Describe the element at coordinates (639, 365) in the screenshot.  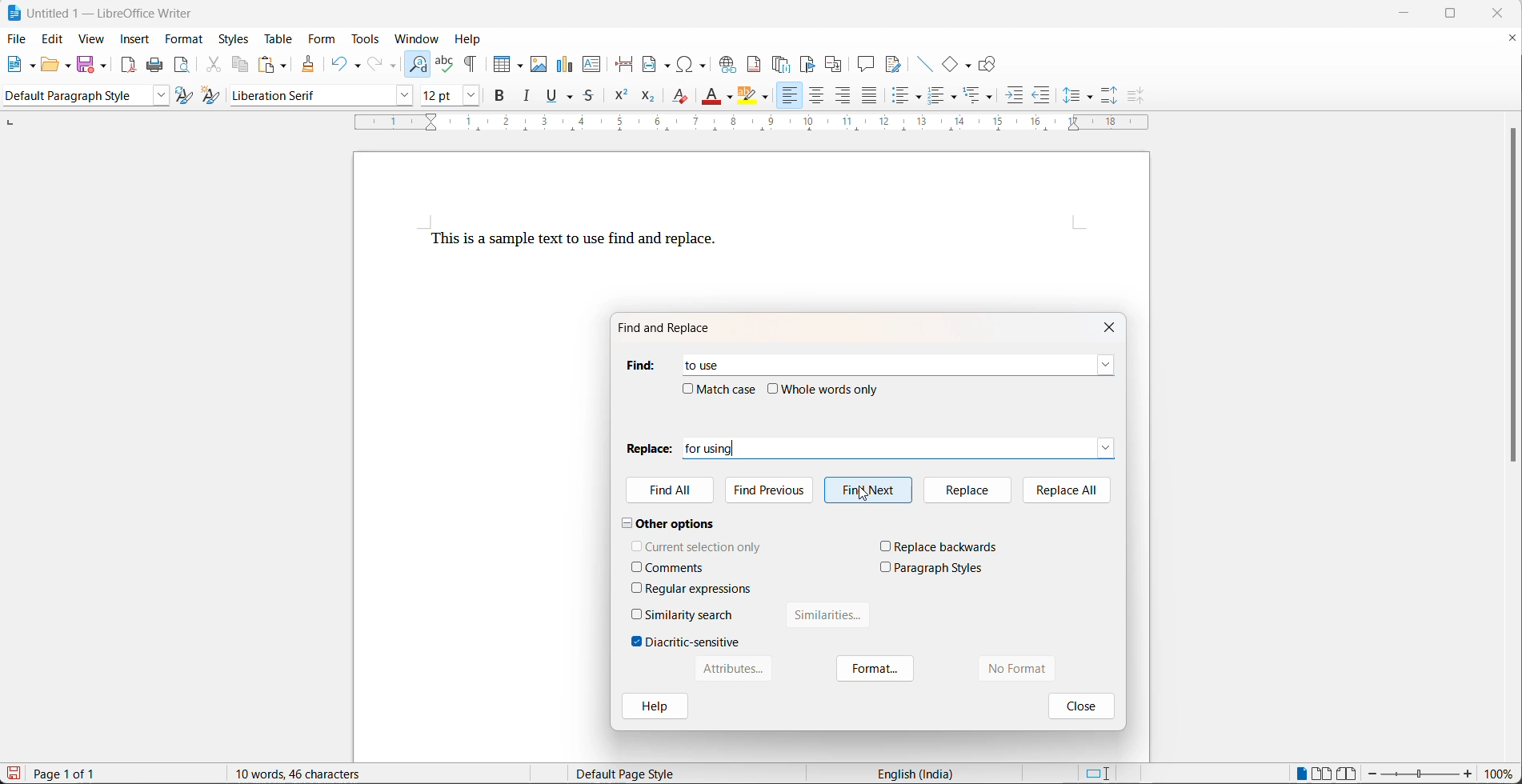
I see `find heading` at that location.